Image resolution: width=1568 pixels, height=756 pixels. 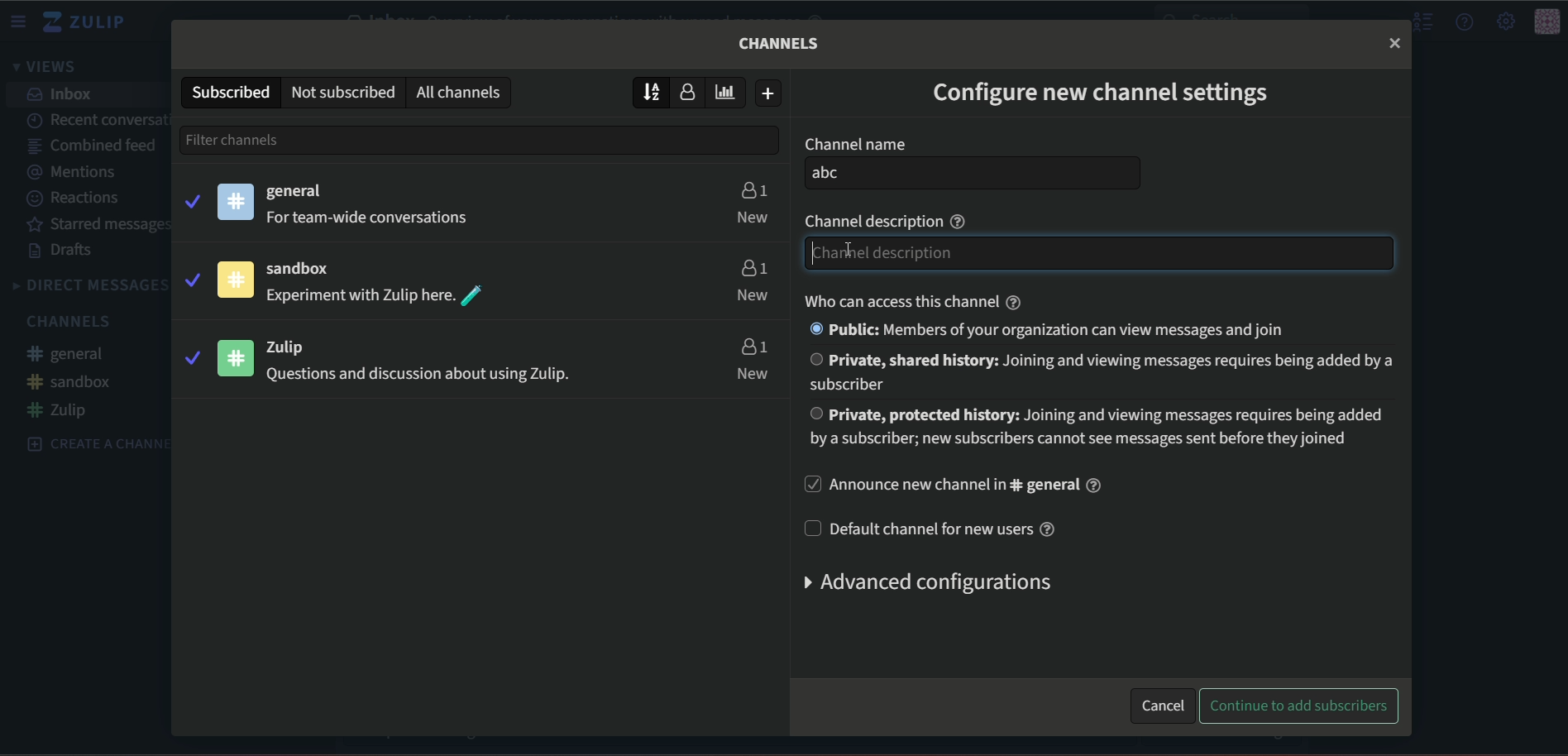 I want to click on Reactions, so click(x=76, y=199).